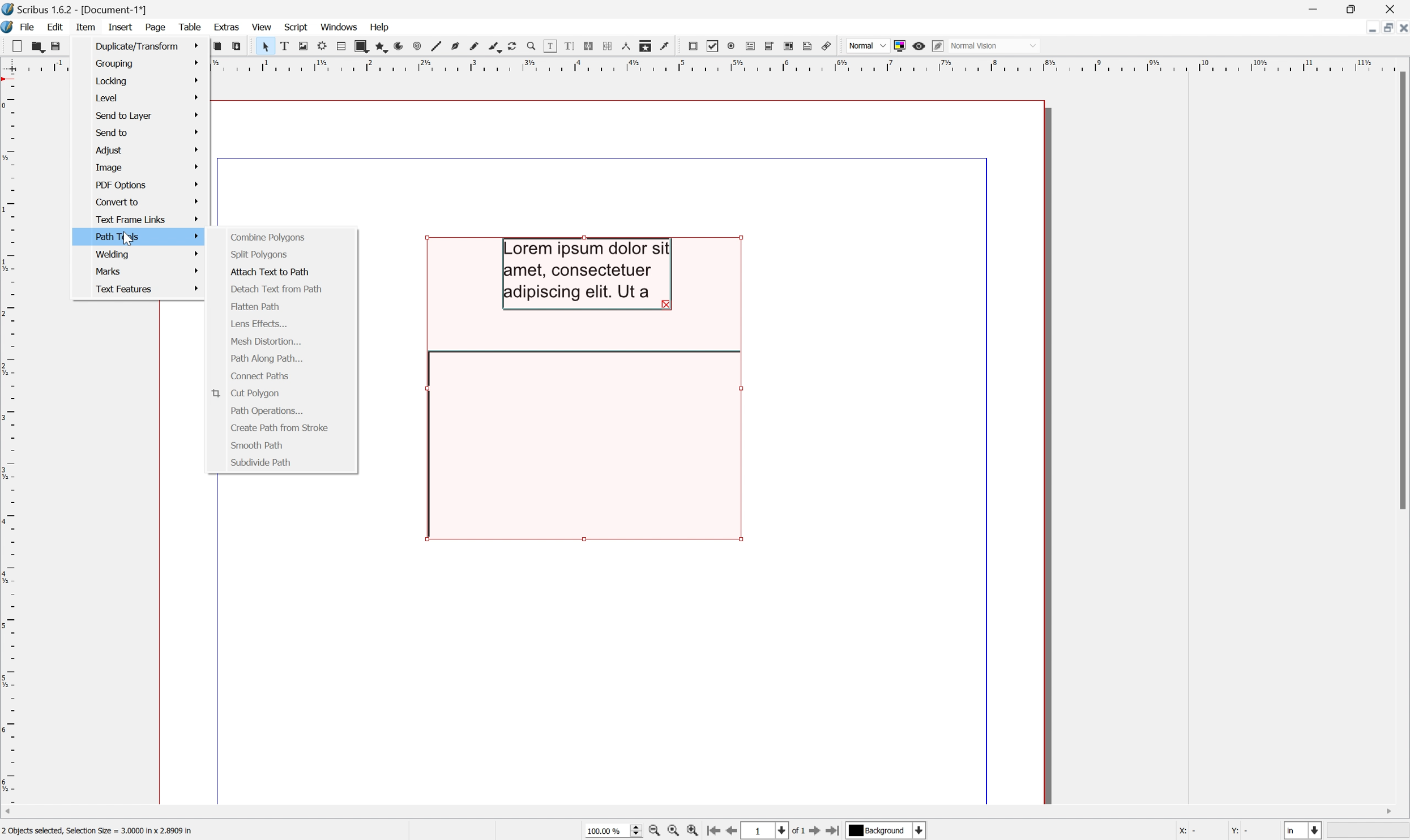 The image size is (1410, 840). I want to click on 2 Objects selected, Selection Size = 3.000 in × 2.8909 in, so click(99, 832).